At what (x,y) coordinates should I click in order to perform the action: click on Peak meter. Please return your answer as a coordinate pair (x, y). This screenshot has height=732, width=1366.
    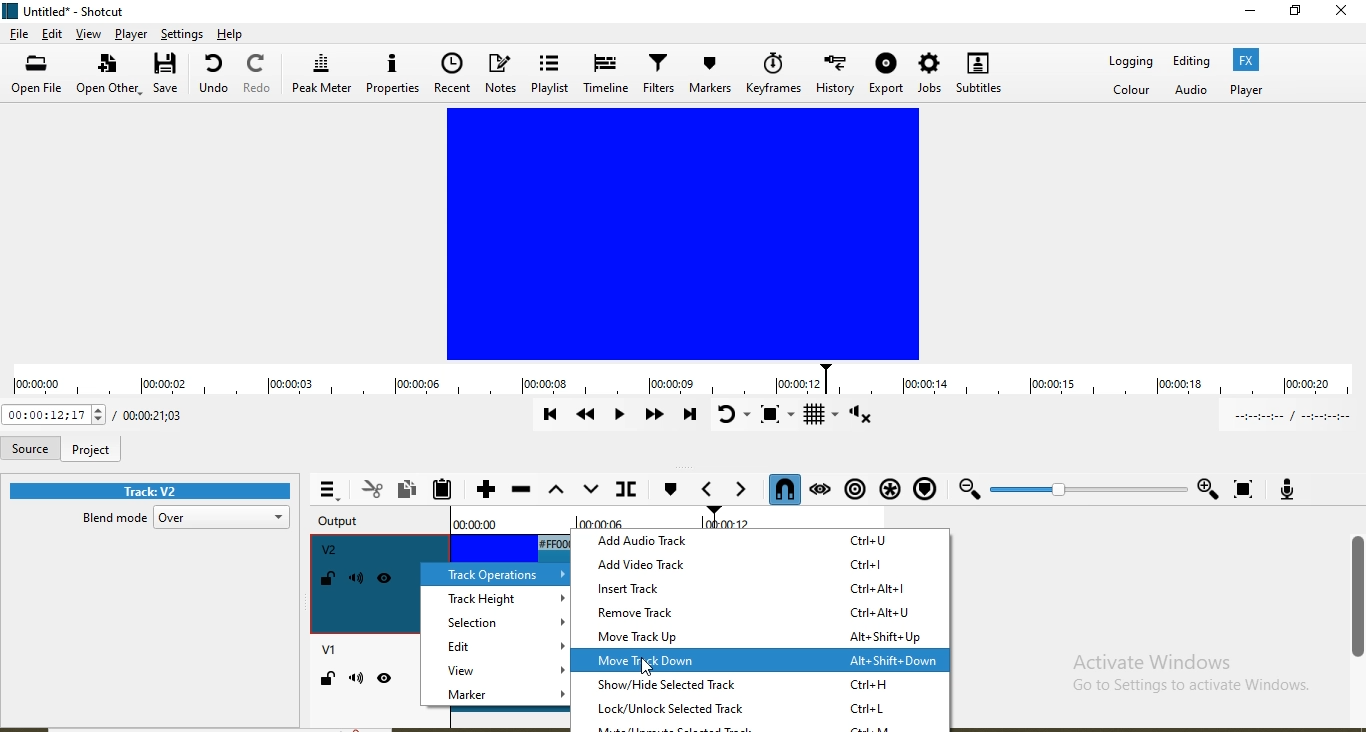
    Looking at the image, I should click on (321, 78).